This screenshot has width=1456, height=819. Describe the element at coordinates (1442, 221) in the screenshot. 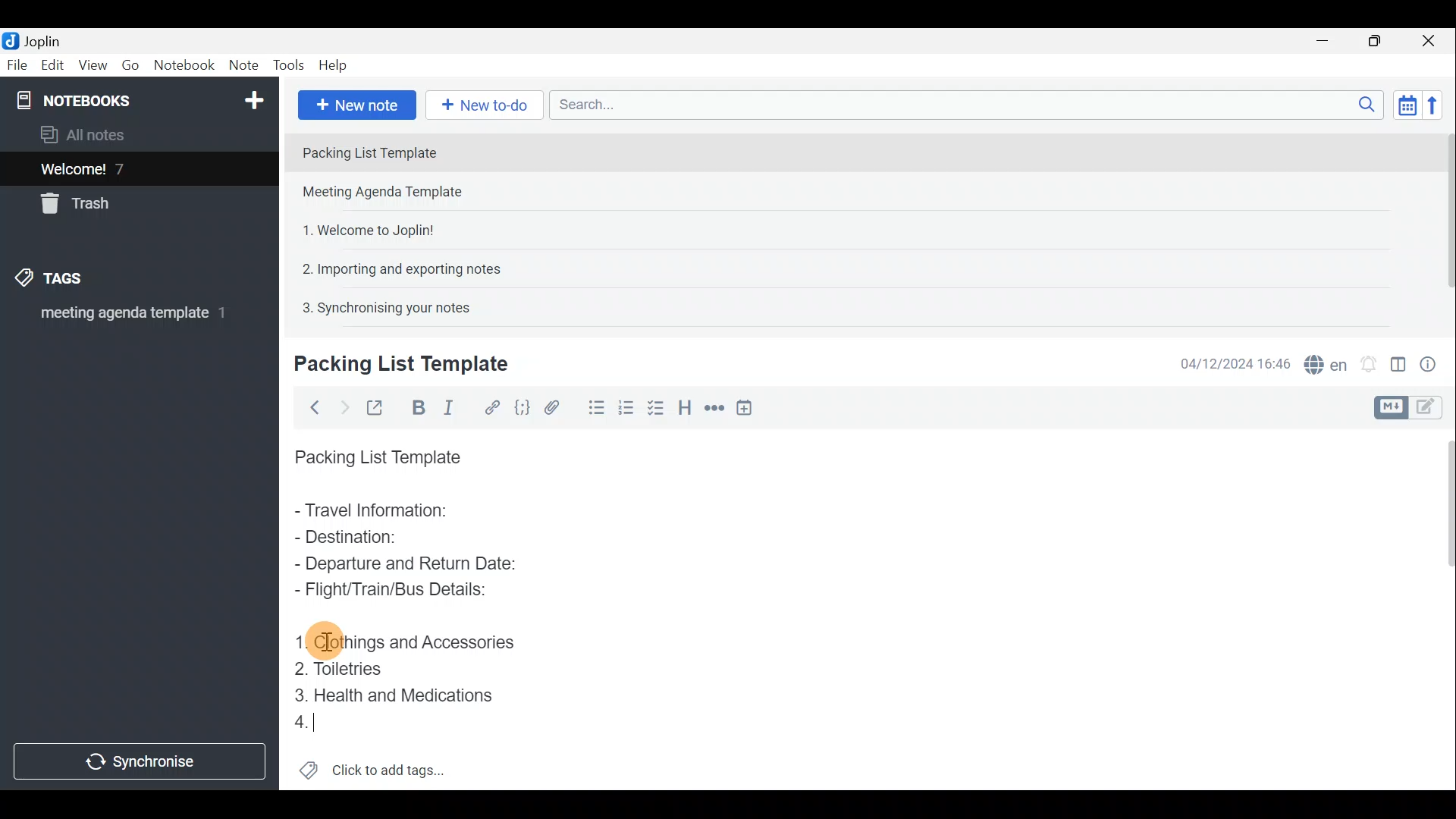

I see `Scroll bar` at that location.